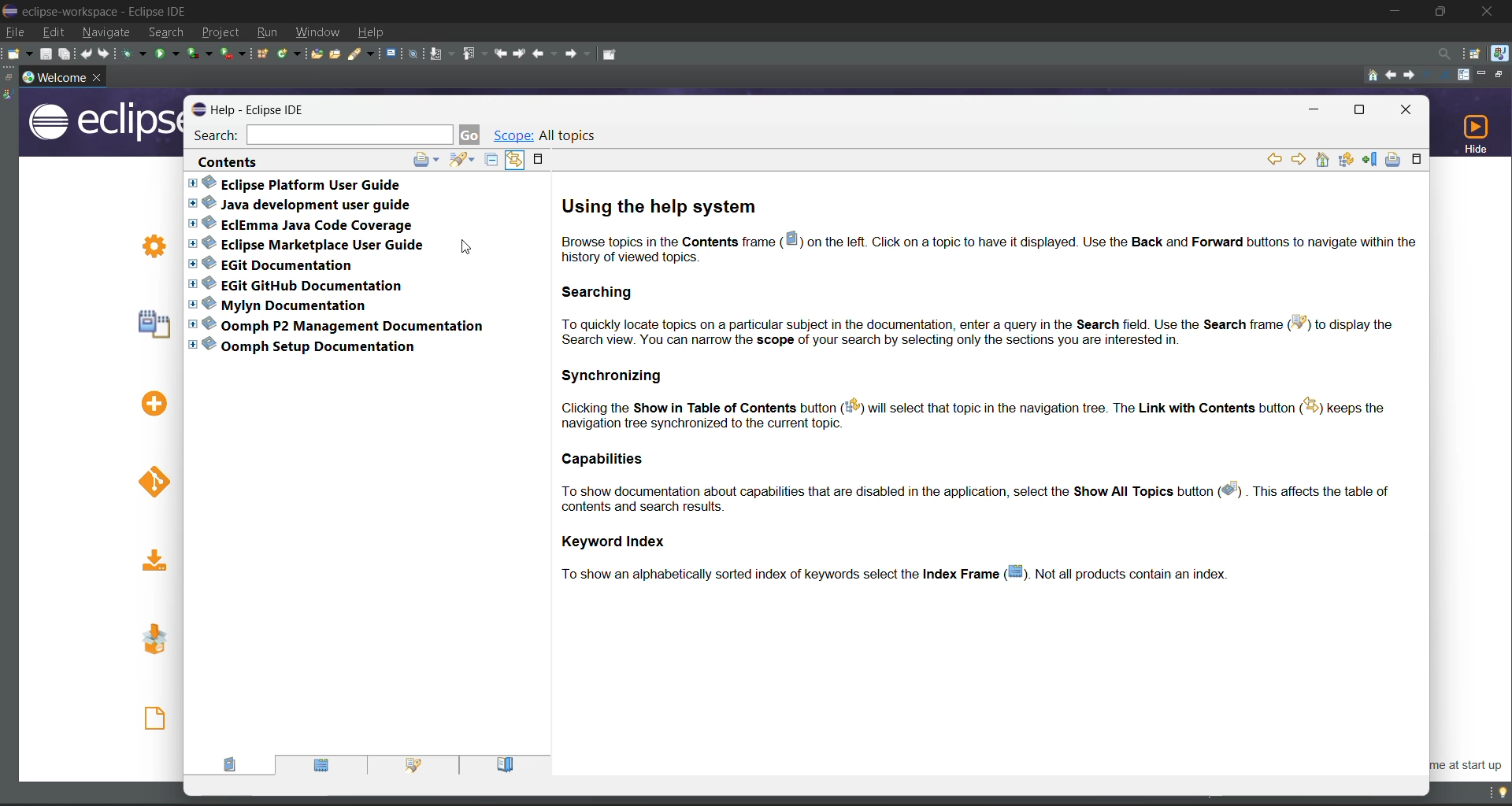  Describe the element at coordinates (362, 53) in the screenshot. I see `search` at that location.